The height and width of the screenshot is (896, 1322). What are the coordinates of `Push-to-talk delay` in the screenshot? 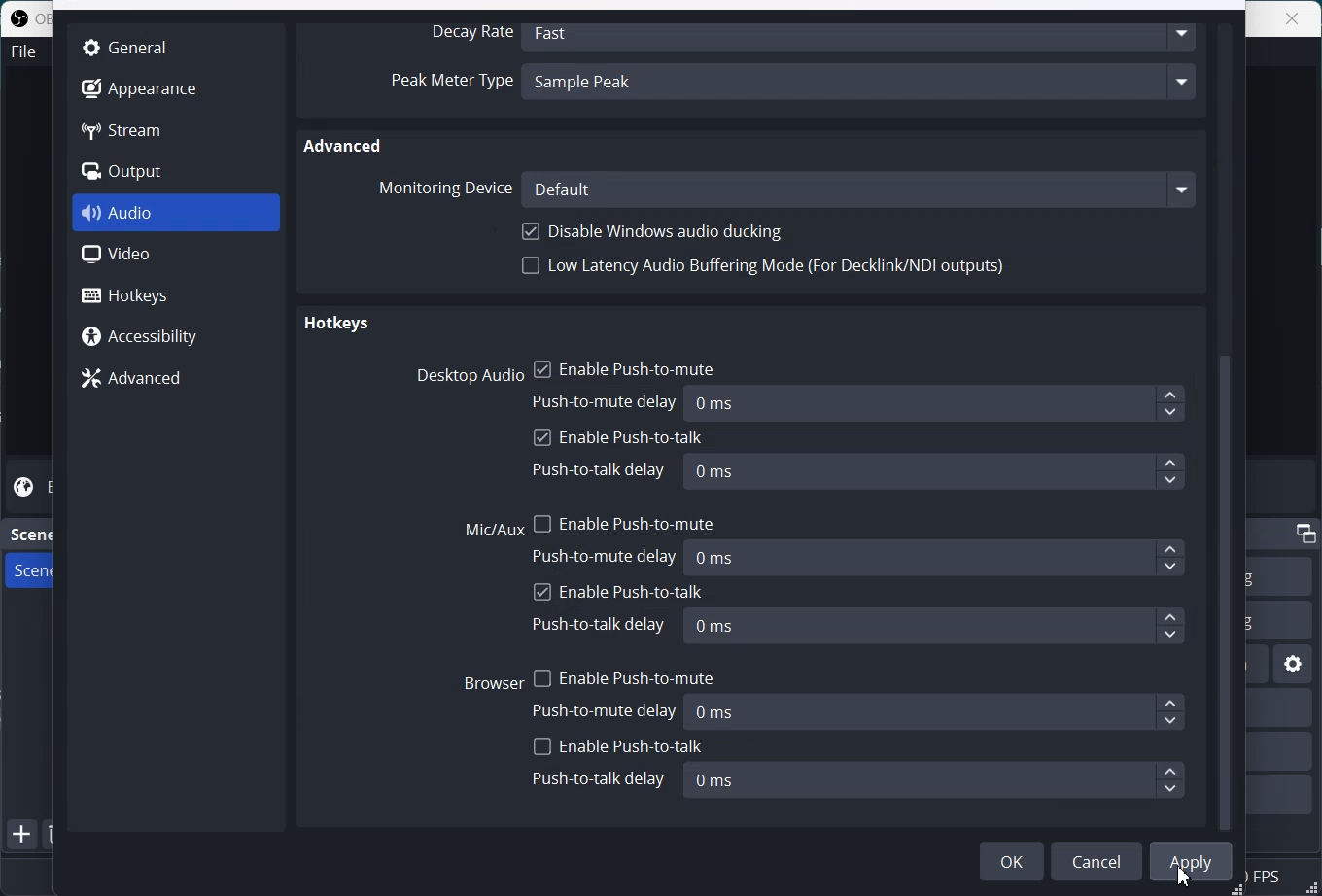 It's located at (599, 471).